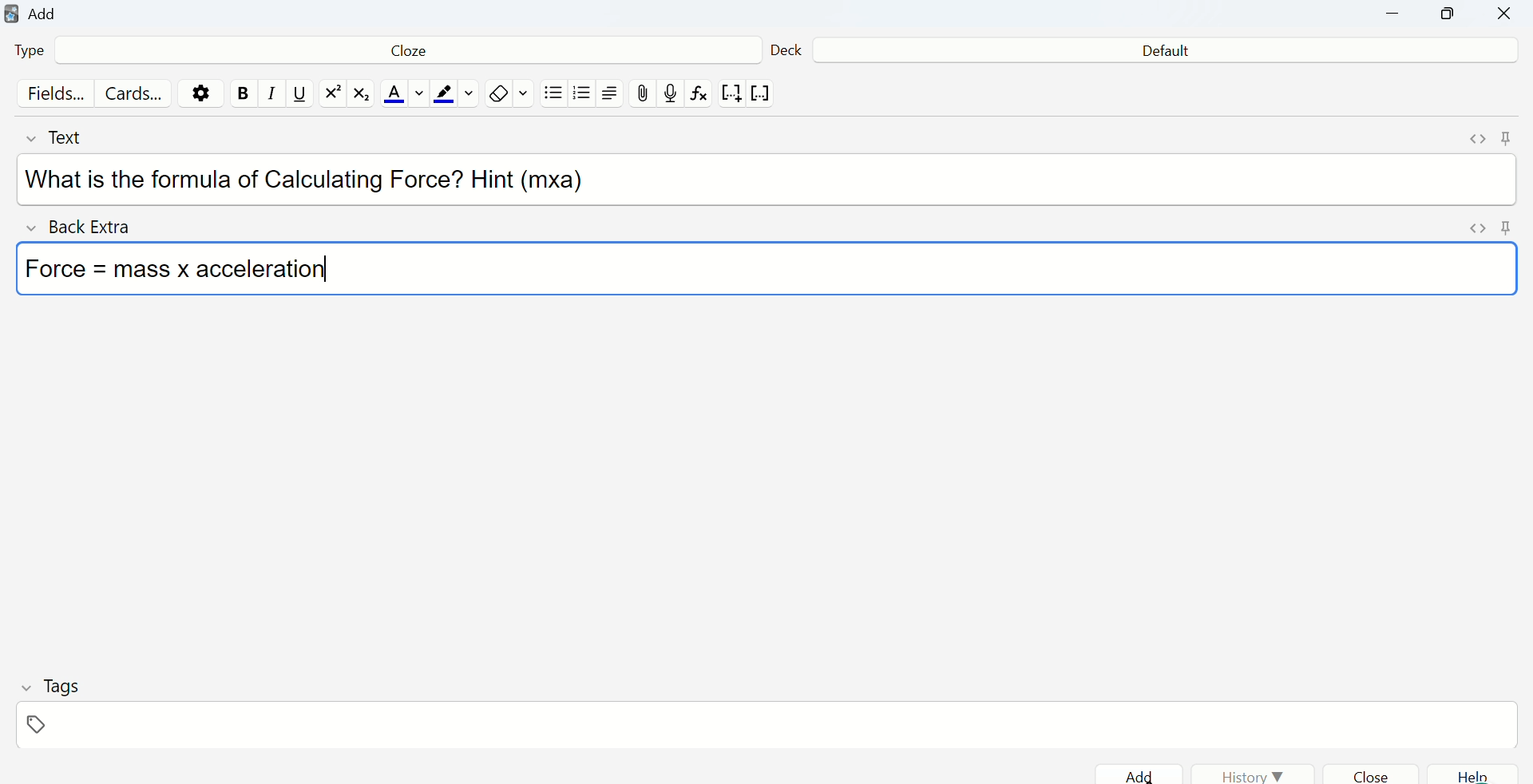  Describe the element at coordinates (786, 47) in the screenshot. I see `Deck` at that location.